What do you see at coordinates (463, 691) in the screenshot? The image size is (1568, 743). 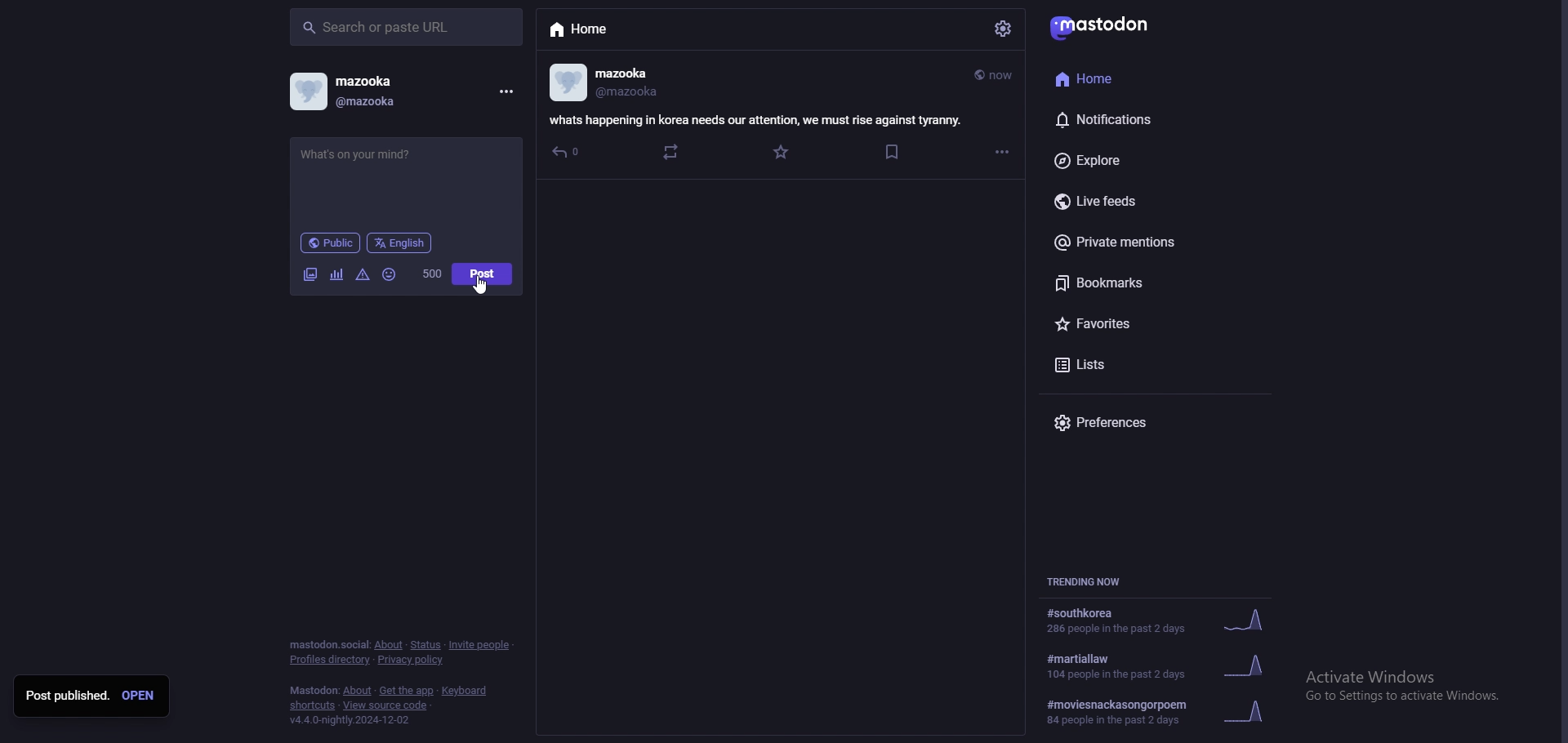 I see `keyboard` at bounding box center [463, 691].